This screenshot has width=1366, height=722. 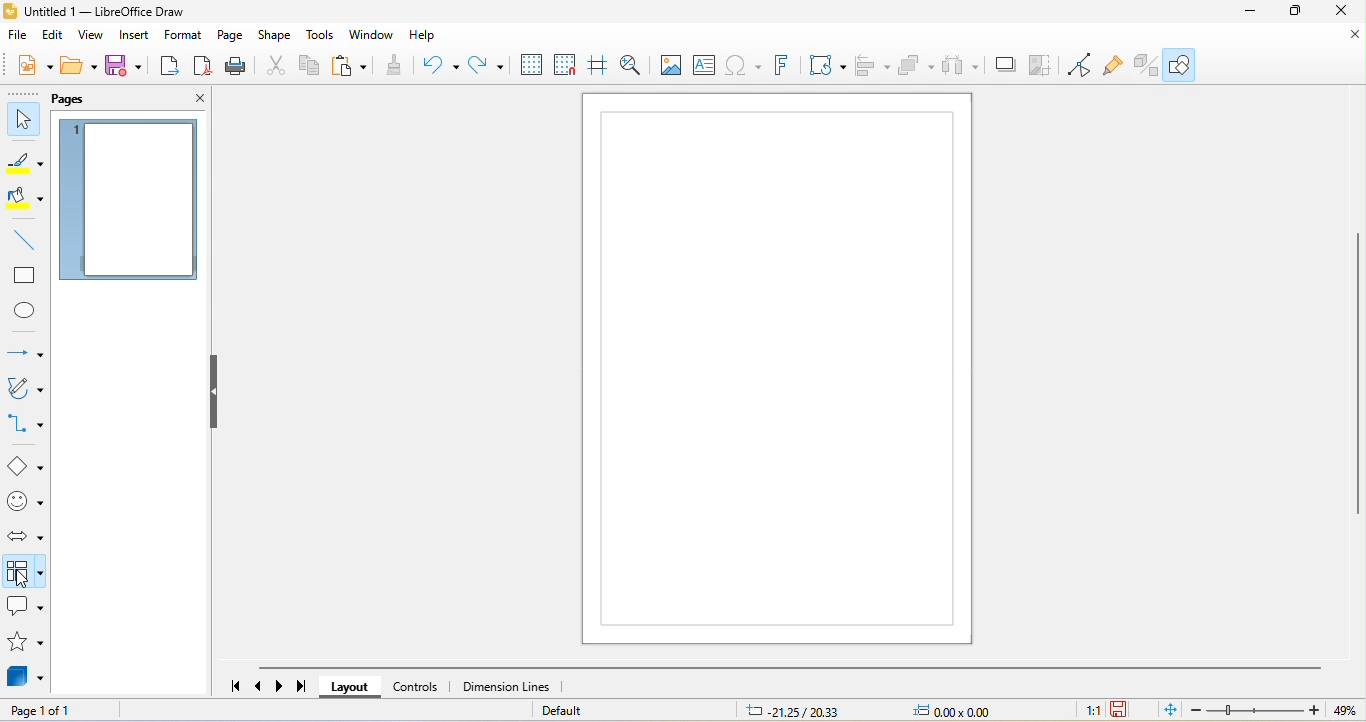 I want to click on curve and polygons, so click(x=24, y=390).